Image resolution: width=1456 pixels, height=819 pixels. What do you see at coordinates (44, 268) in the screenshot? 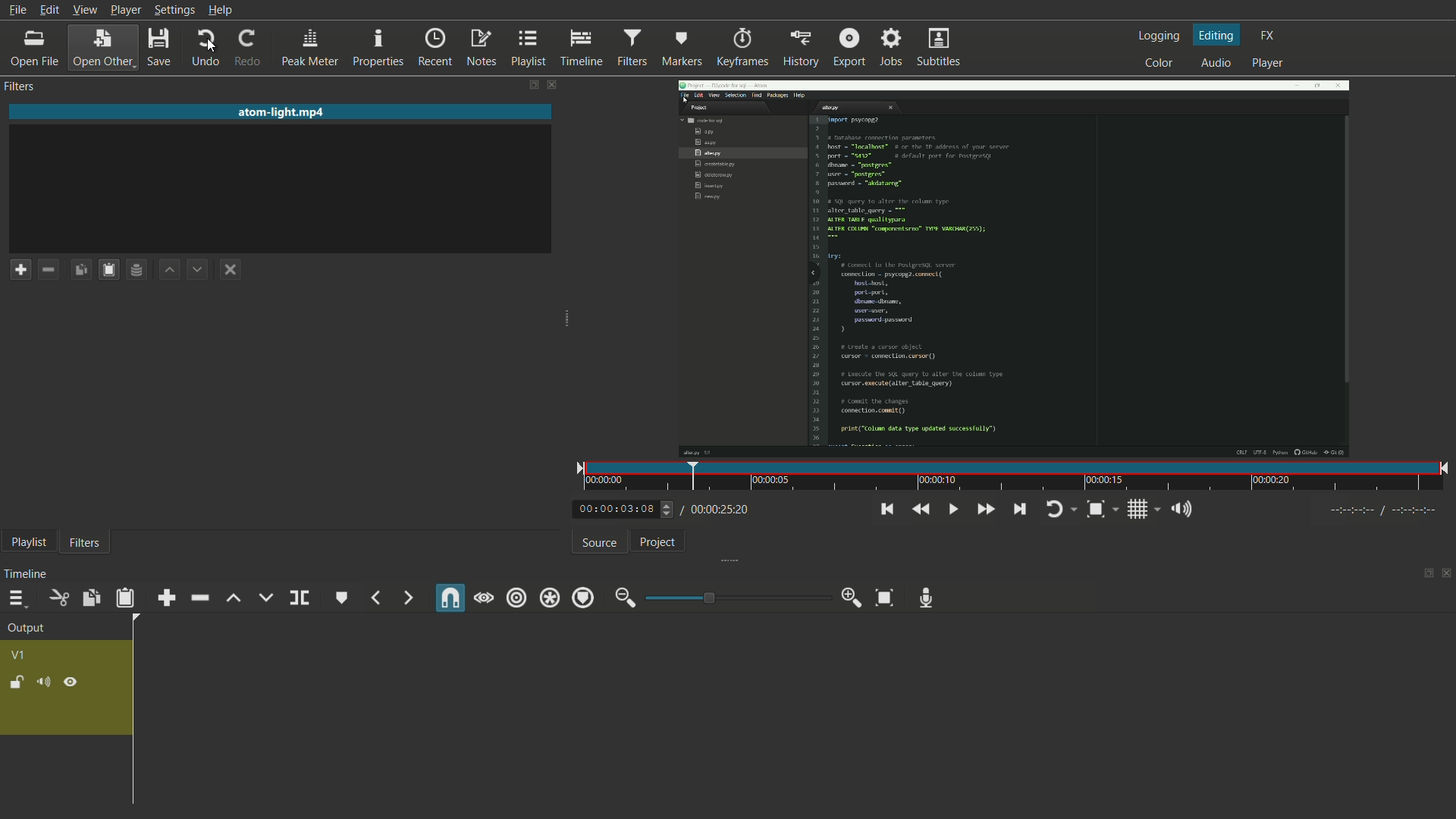
I see `minus` at bounding box center [44, 268].